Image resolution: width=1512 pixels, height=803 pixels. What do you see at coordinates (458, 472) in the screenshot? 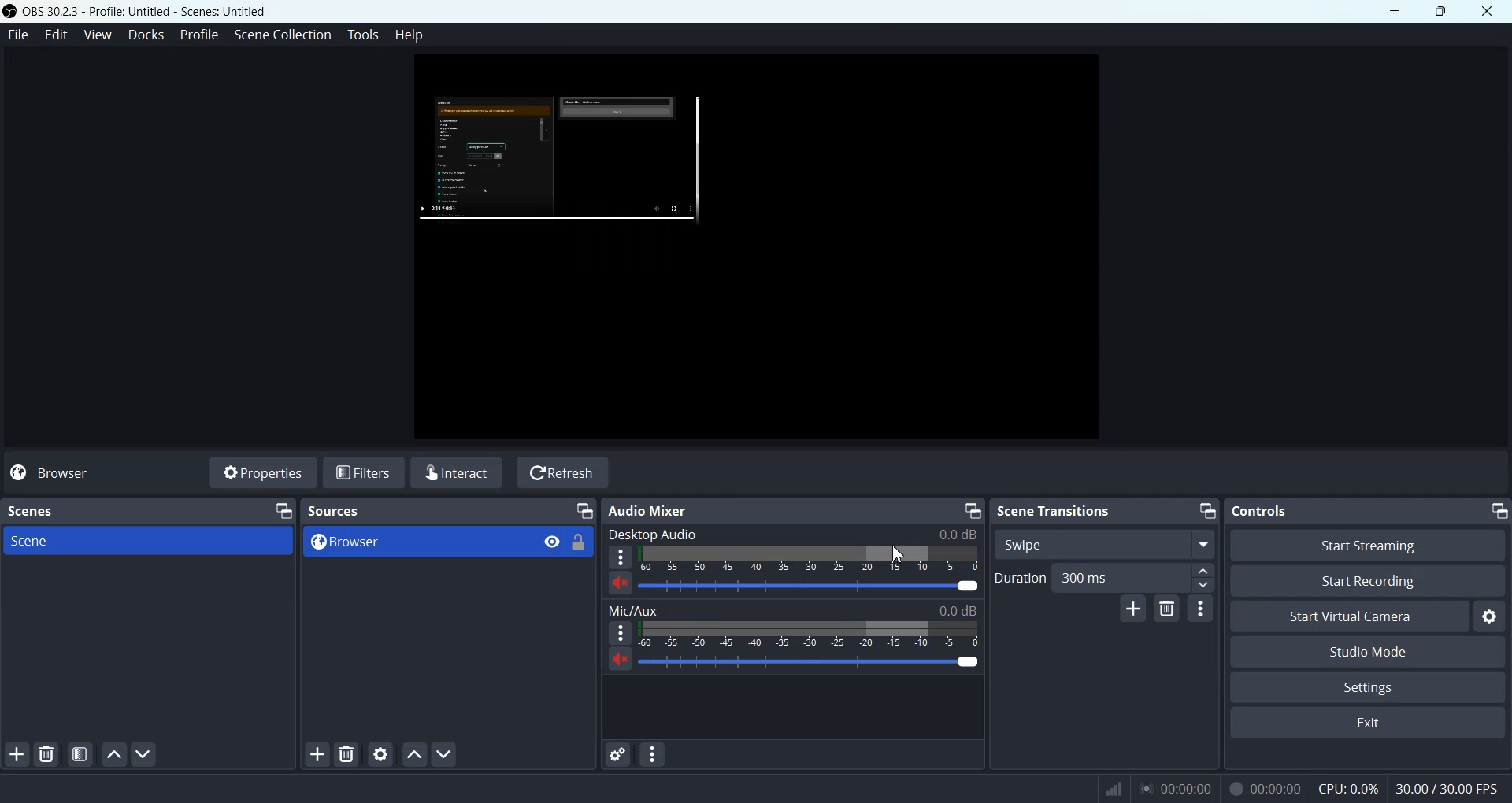
I see `Interact` at bounding box center [458, 472].